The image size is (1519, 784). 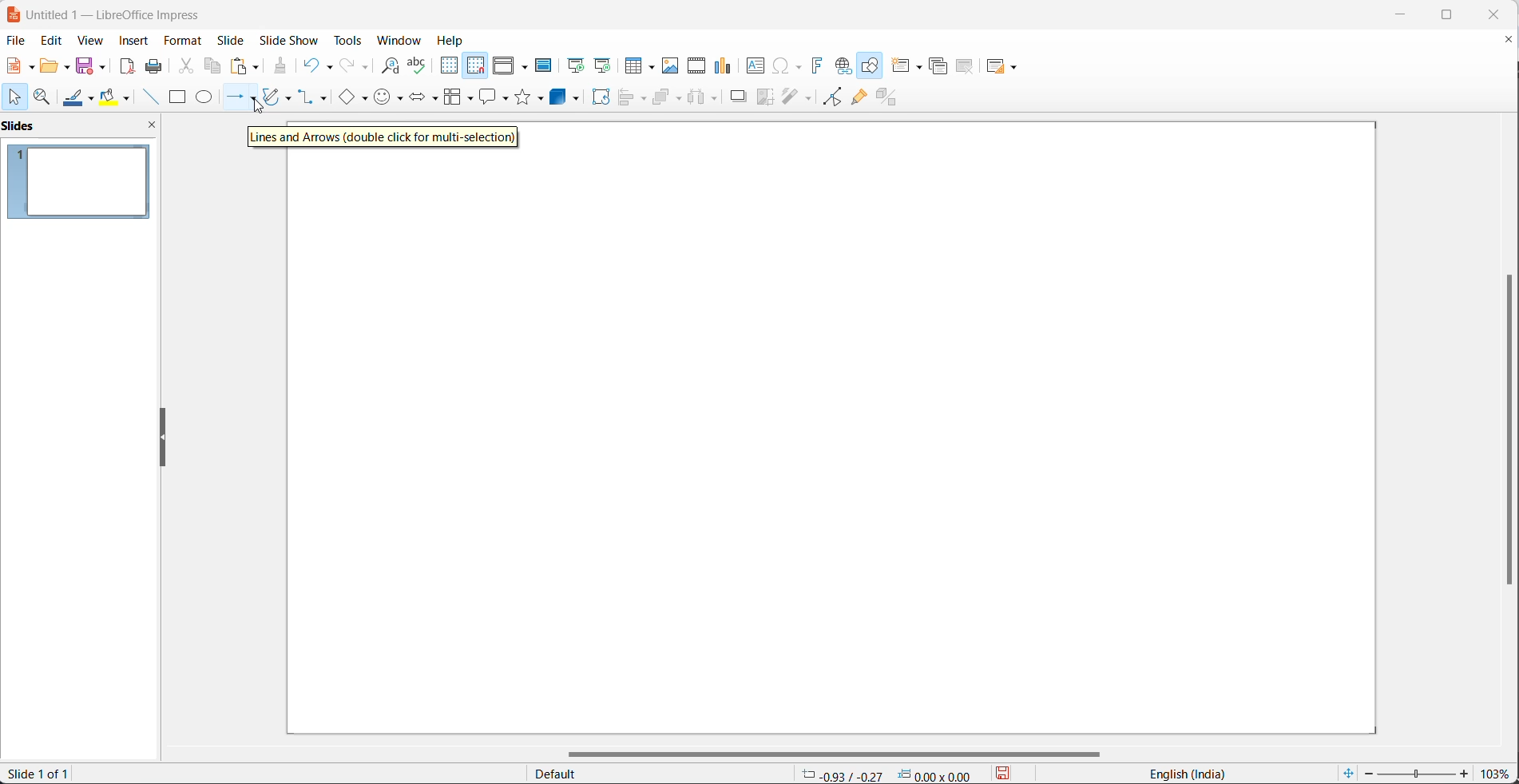 I want to click on show gluepoint function, so click(x=858, y=97).